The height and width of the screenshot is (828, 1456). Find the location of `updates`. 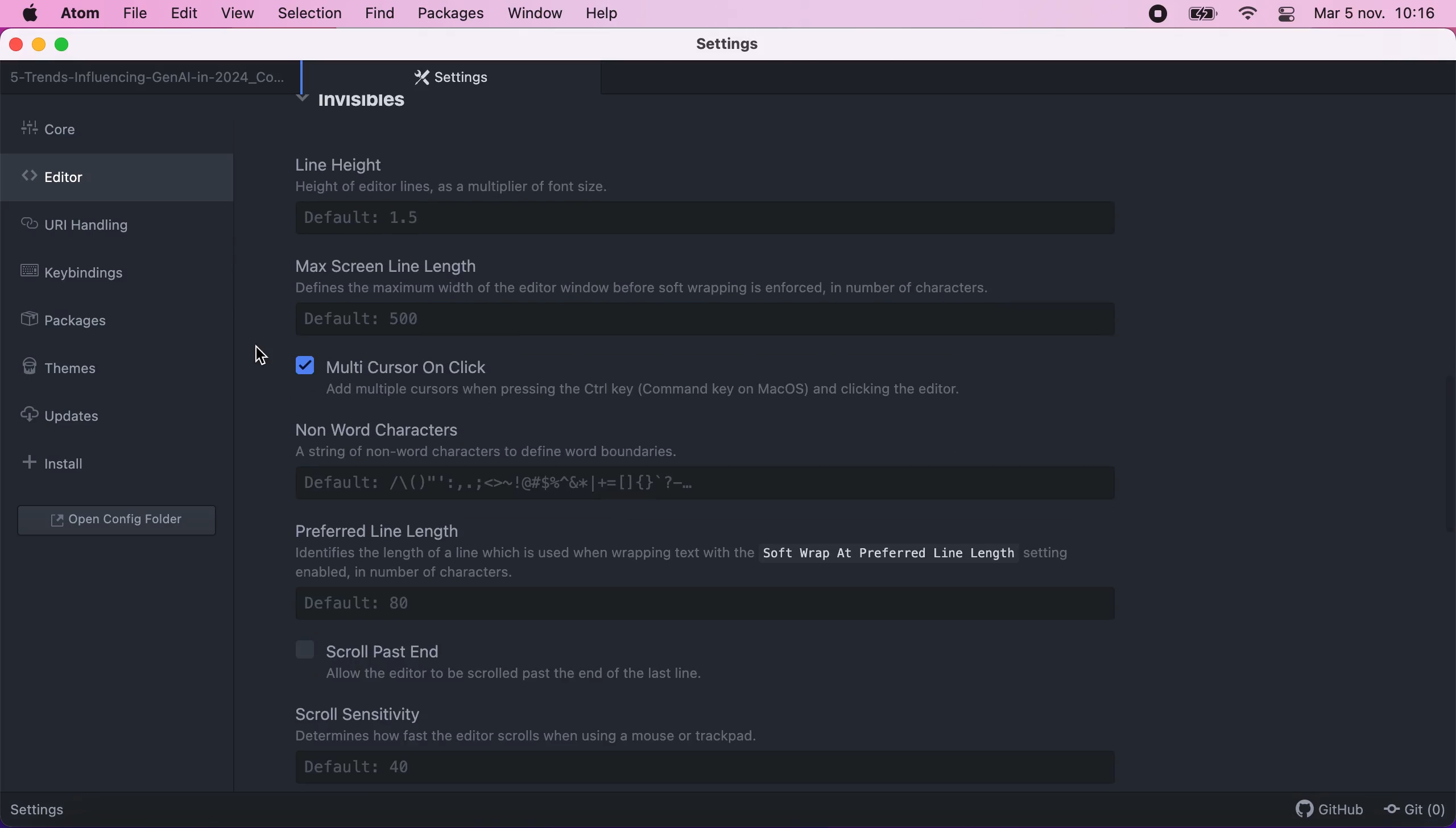

updates is located at coordinates (71, 415).